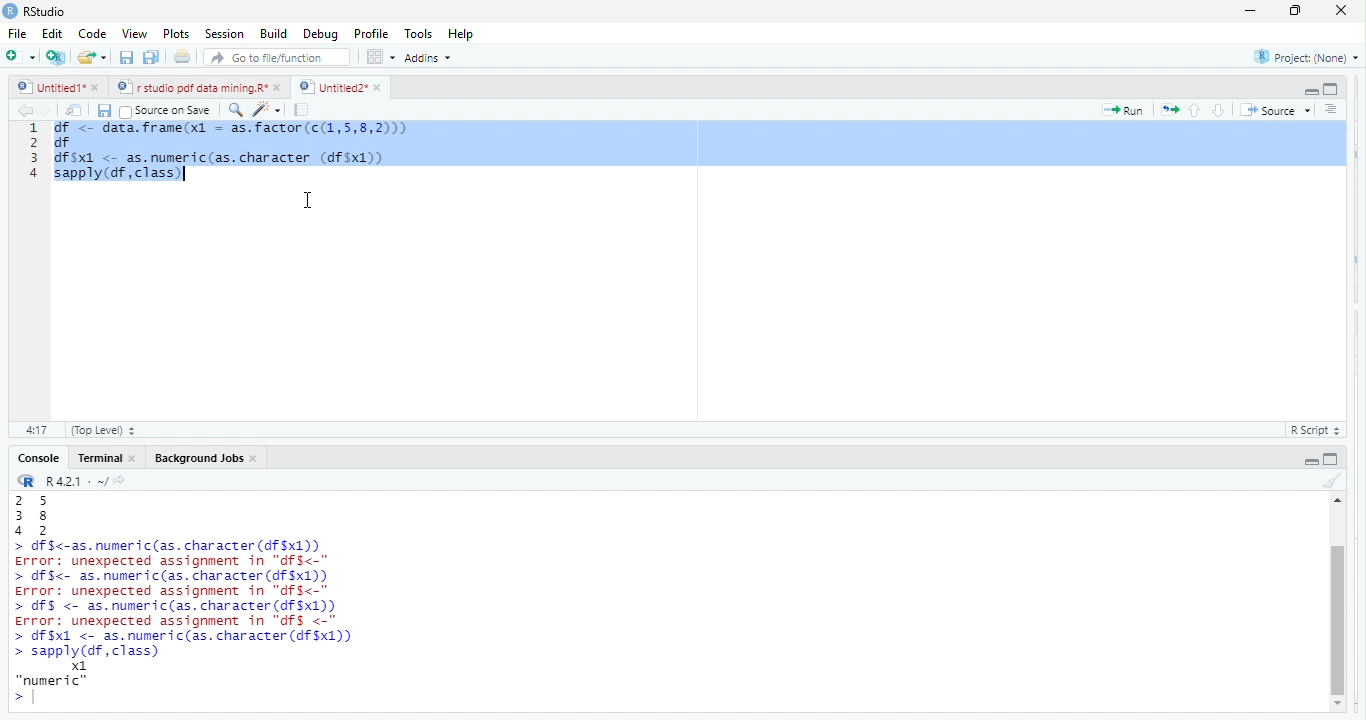  I want to click on help, so click(466, 32).